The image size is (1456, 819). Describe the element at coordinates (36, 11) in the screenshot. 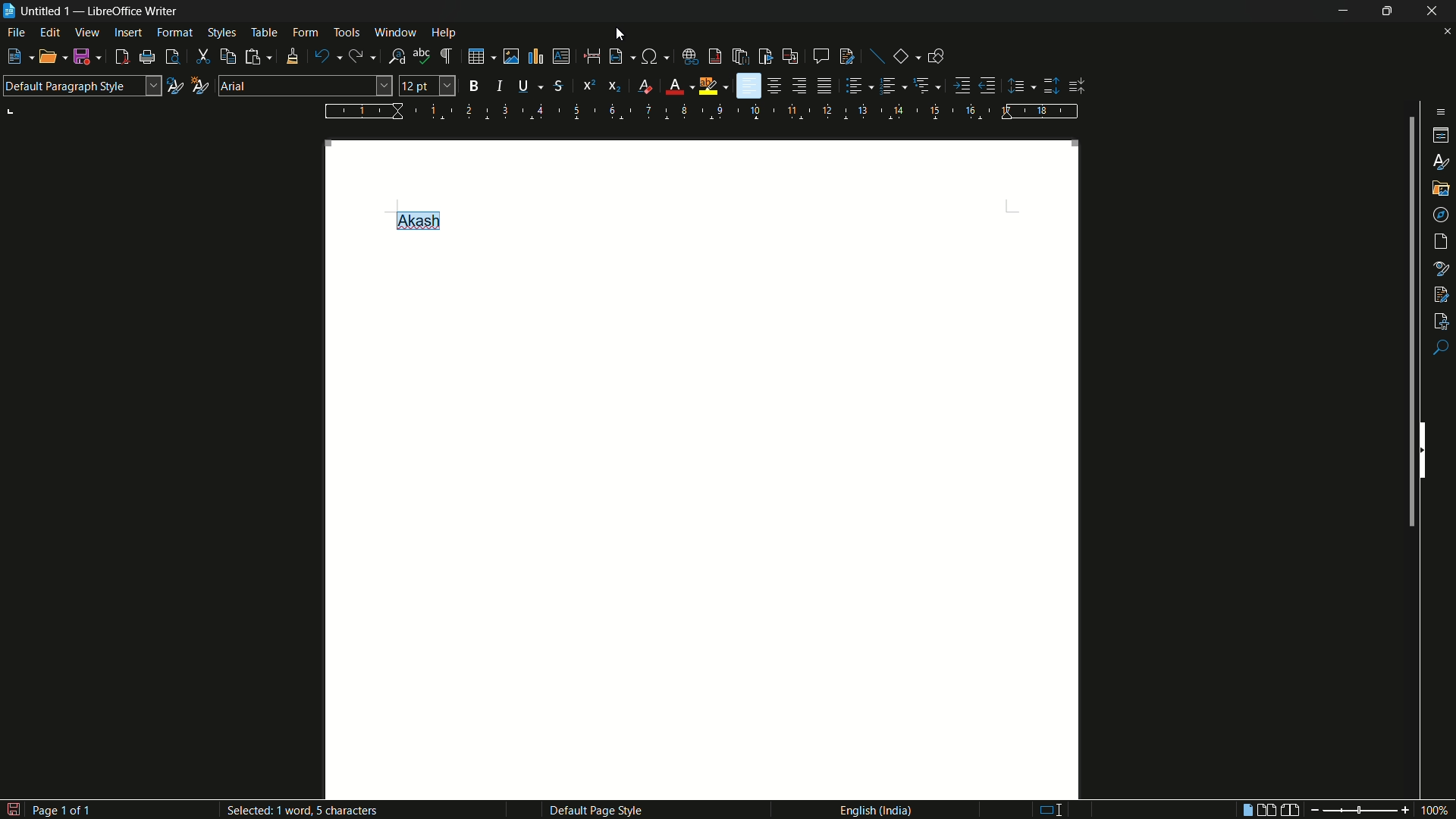

I see `file name` at that location.